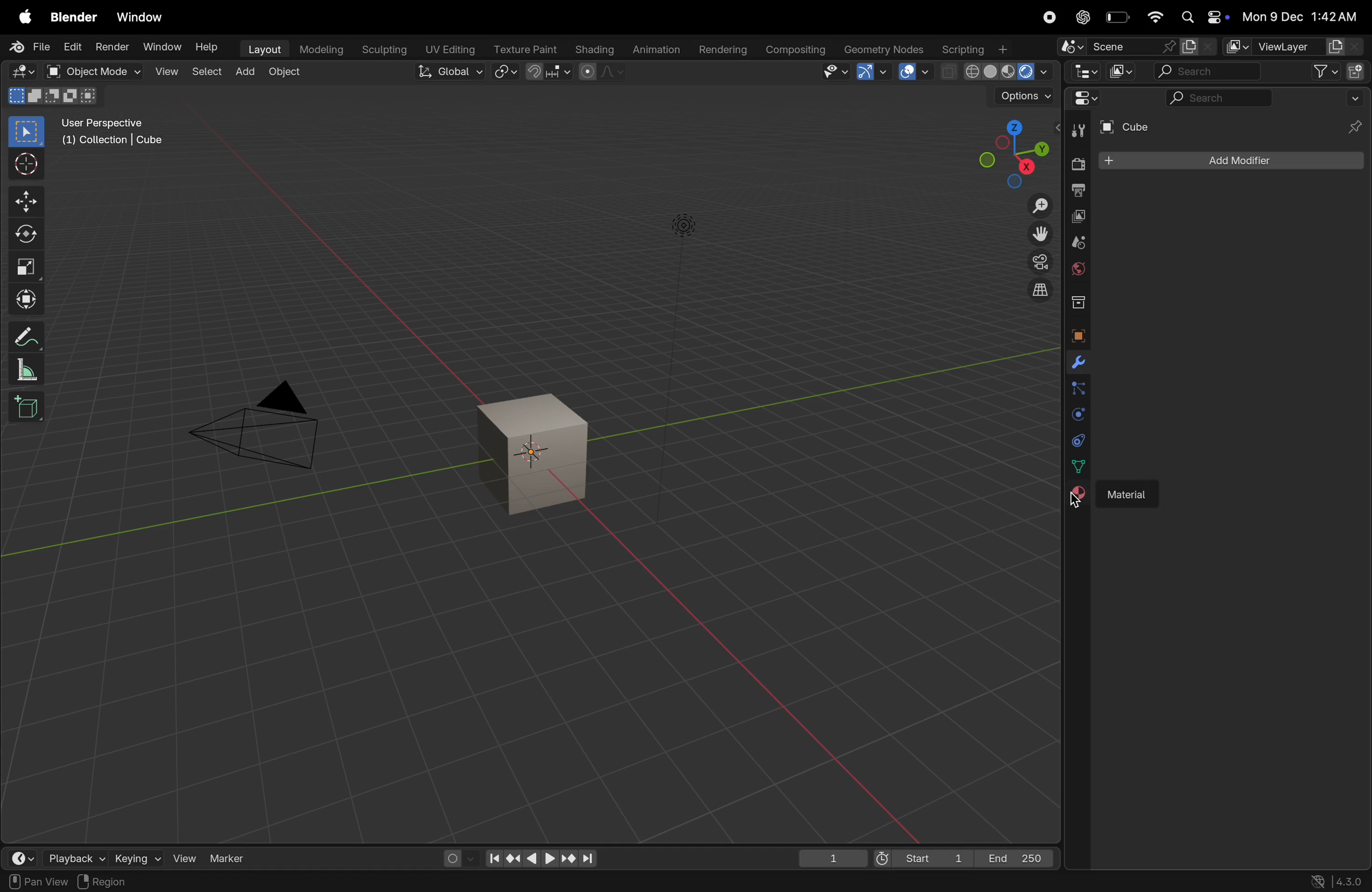 This screenshot has width=1372, height=892. I want to click on editor type, so click(22, 71).